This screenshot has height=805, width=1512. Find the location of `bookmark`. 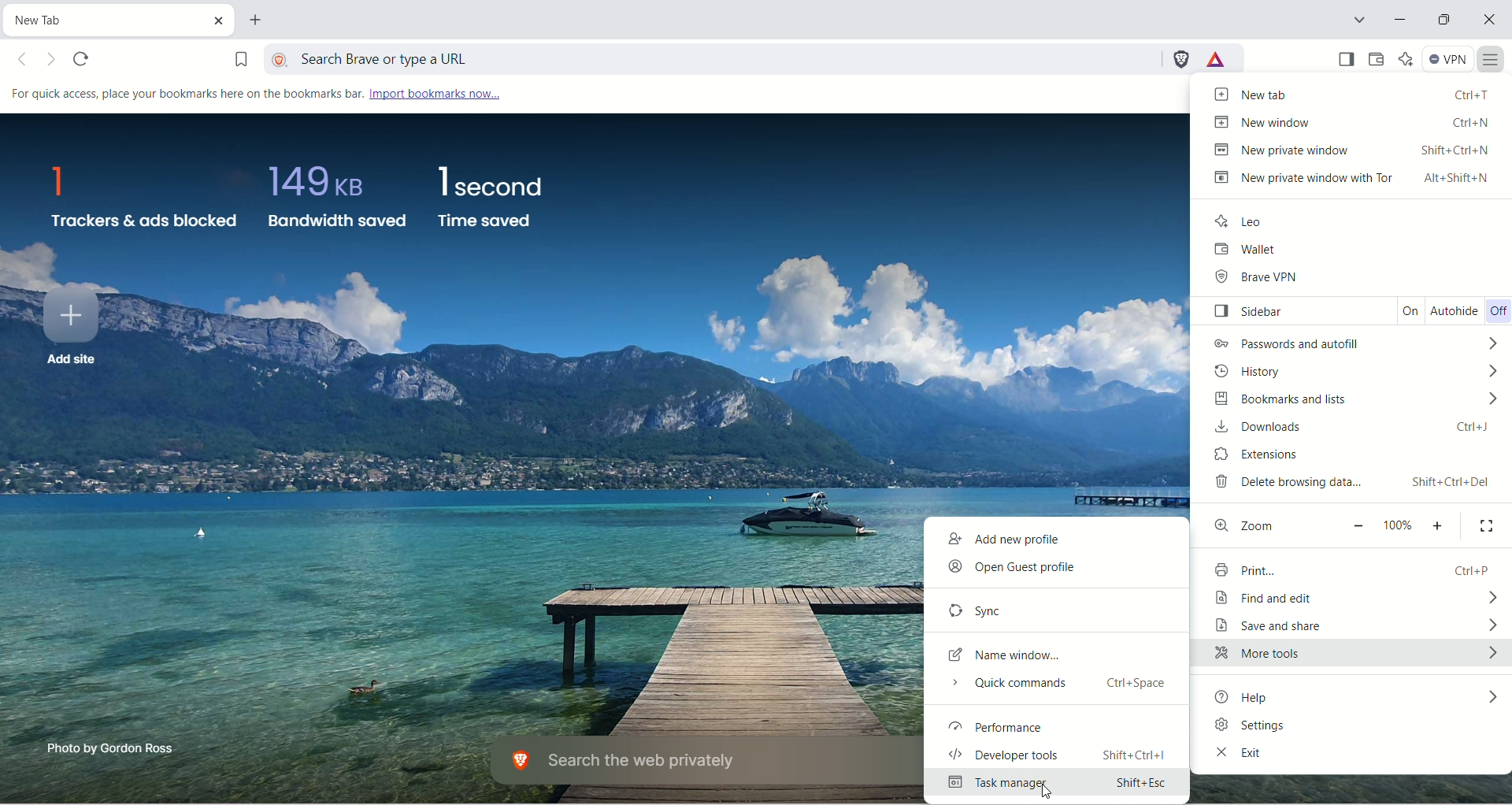

bookmark is located at coordinates (231, 56).